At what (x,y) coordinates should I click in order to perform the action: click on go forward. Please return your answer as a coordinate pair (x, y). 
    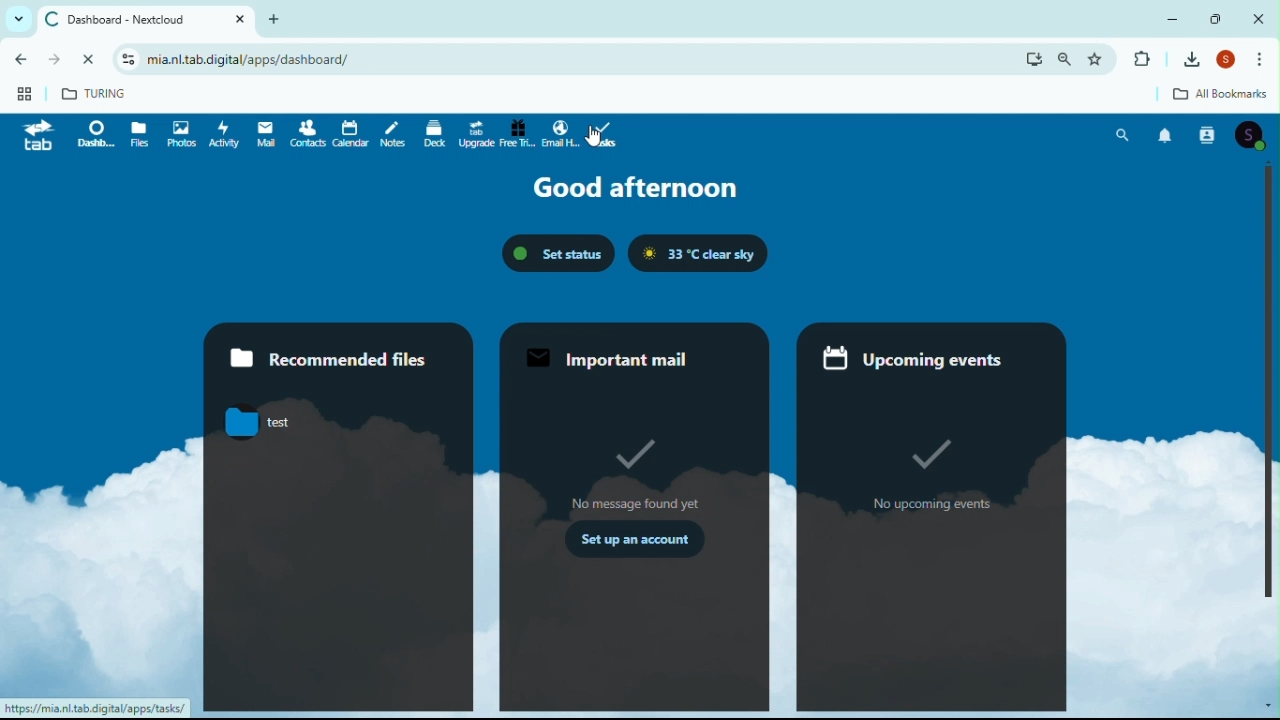
    Looking at the image, I should click on (55, 57).